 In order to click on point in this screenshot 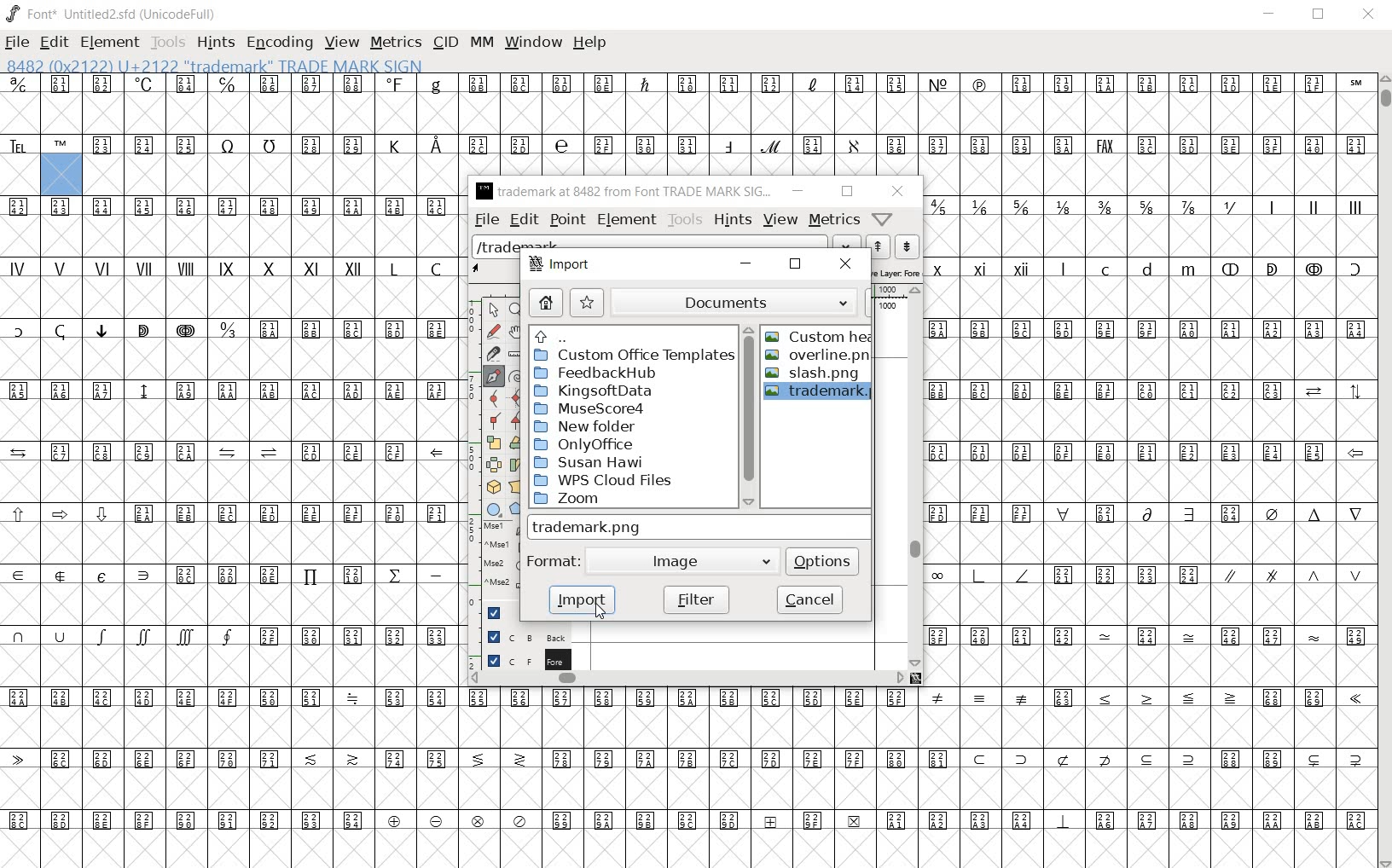, I will do `click(567, 219)`.